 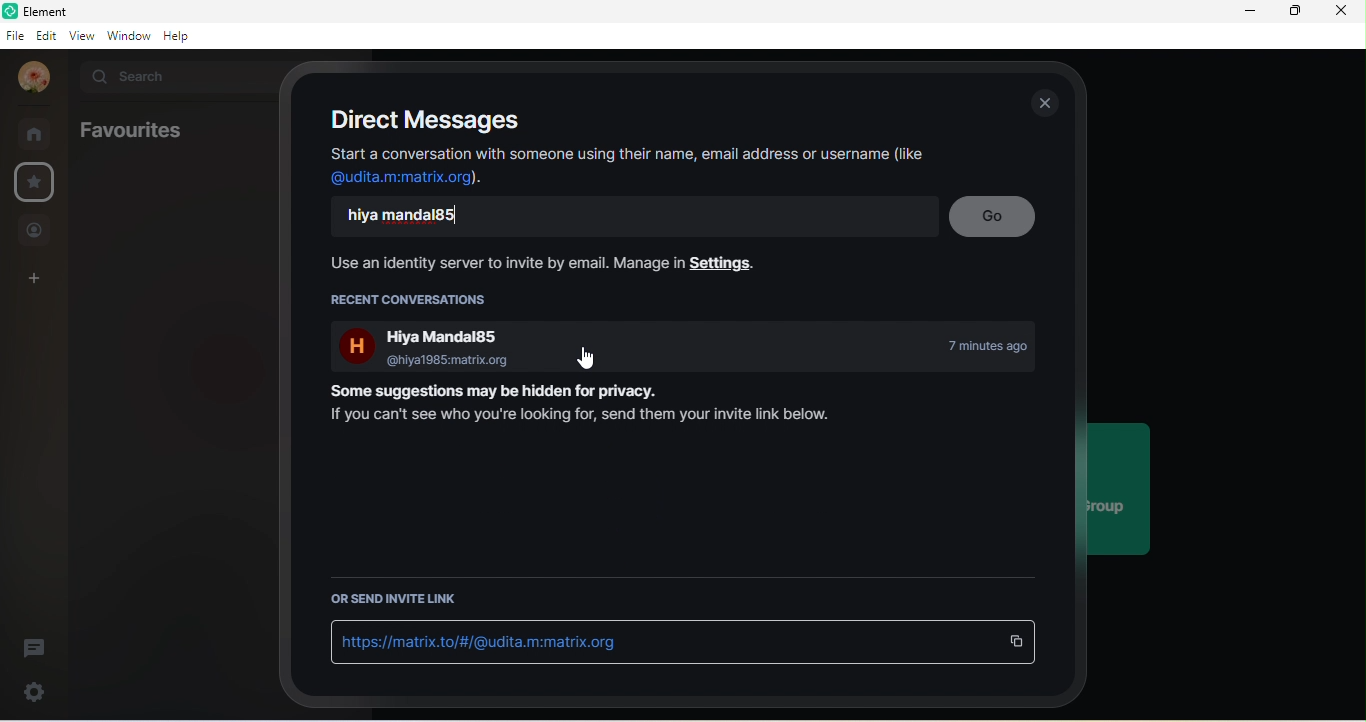 What do you see at coordinates (129, 35) in the screenshot?
I see `window` at bounding box center [129, 35].